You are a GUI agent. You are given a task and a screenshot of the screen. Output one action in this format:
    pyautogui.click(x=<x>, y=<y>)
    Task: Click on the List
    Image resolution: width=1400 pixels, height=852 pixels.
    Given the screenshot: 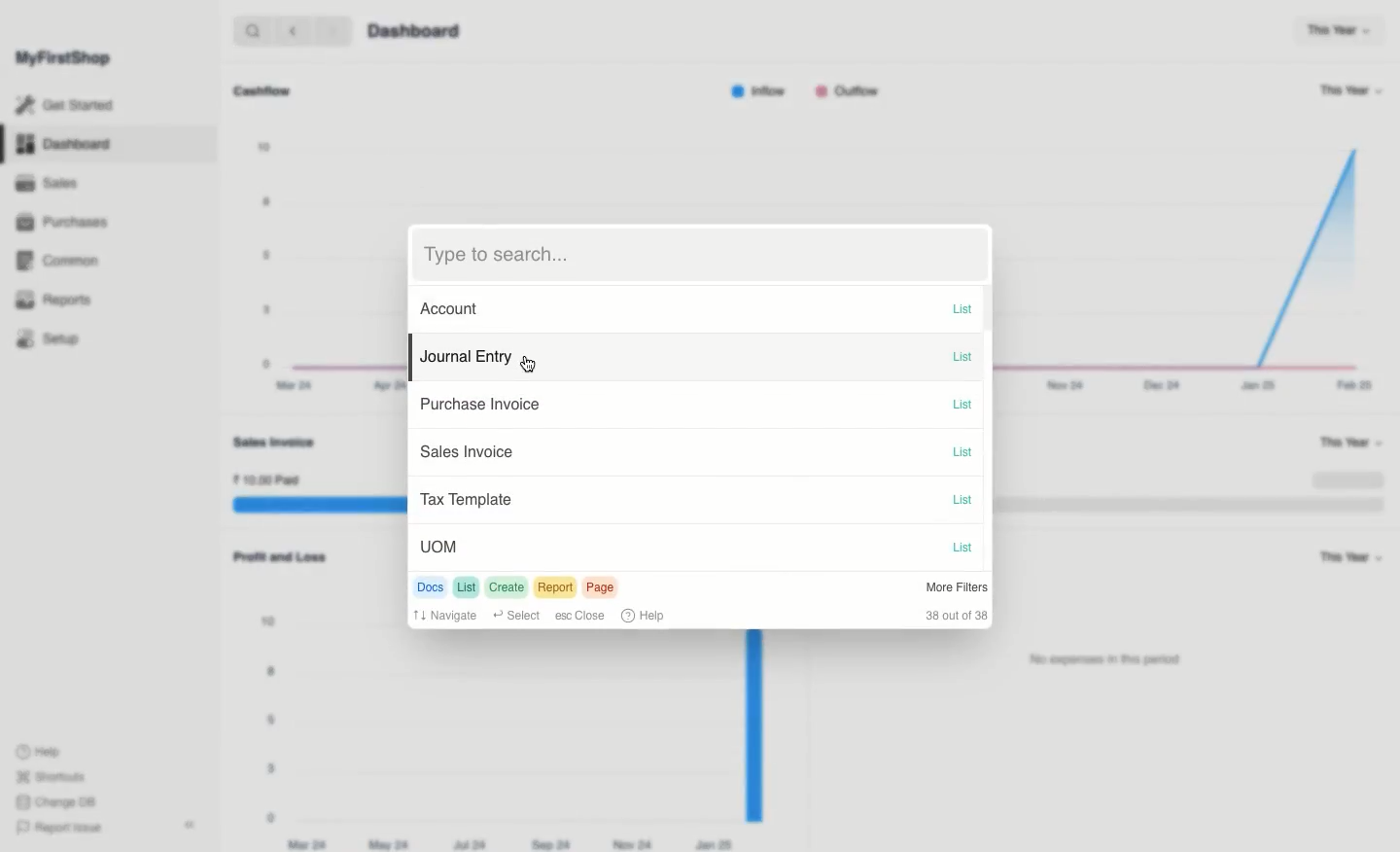 What is the action you would take?
    pyautogui.click(x=957, y=501)
    